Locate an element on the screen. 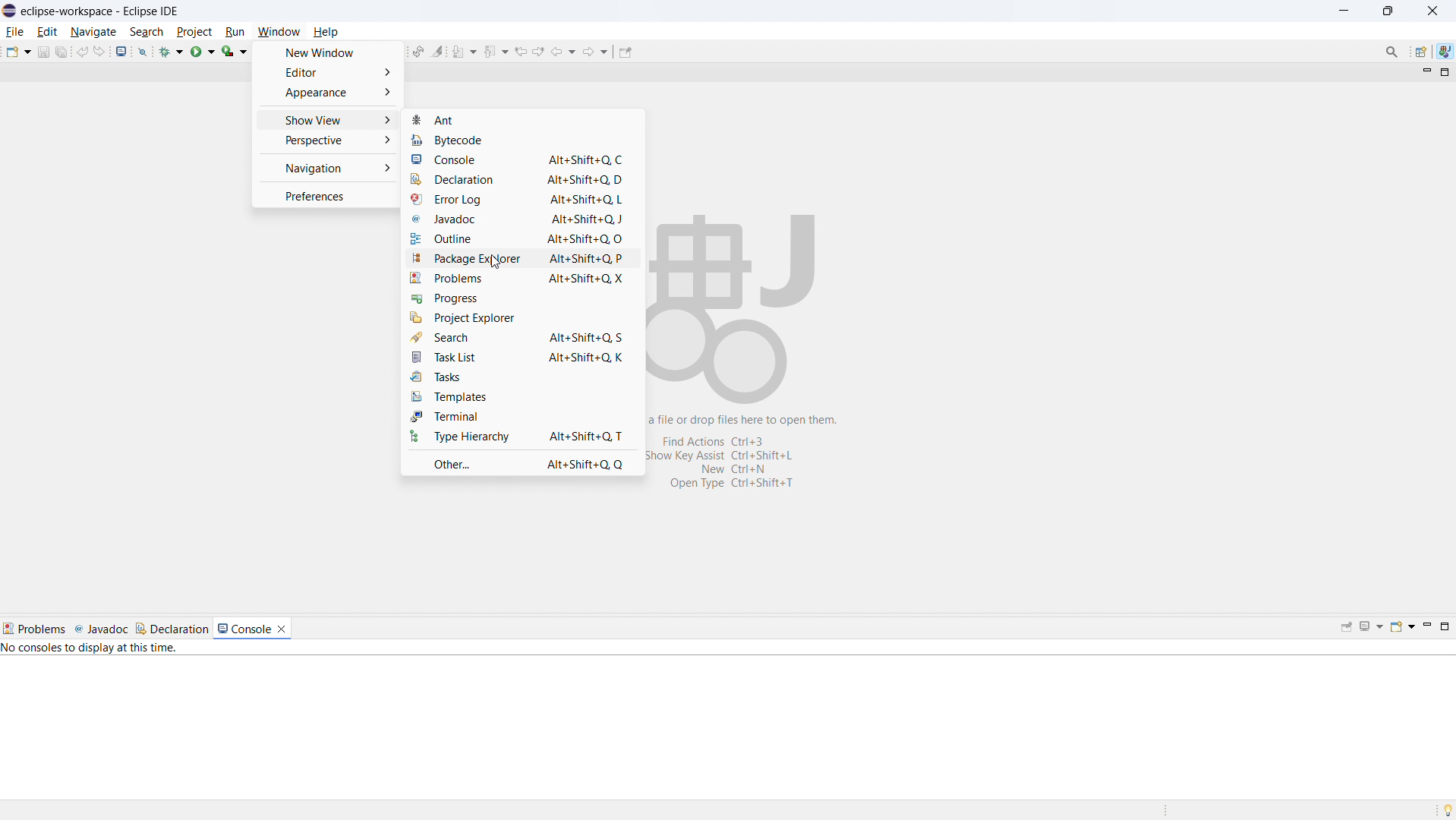 The image size is (1456, 820). project is located at coordinates (194, 31).